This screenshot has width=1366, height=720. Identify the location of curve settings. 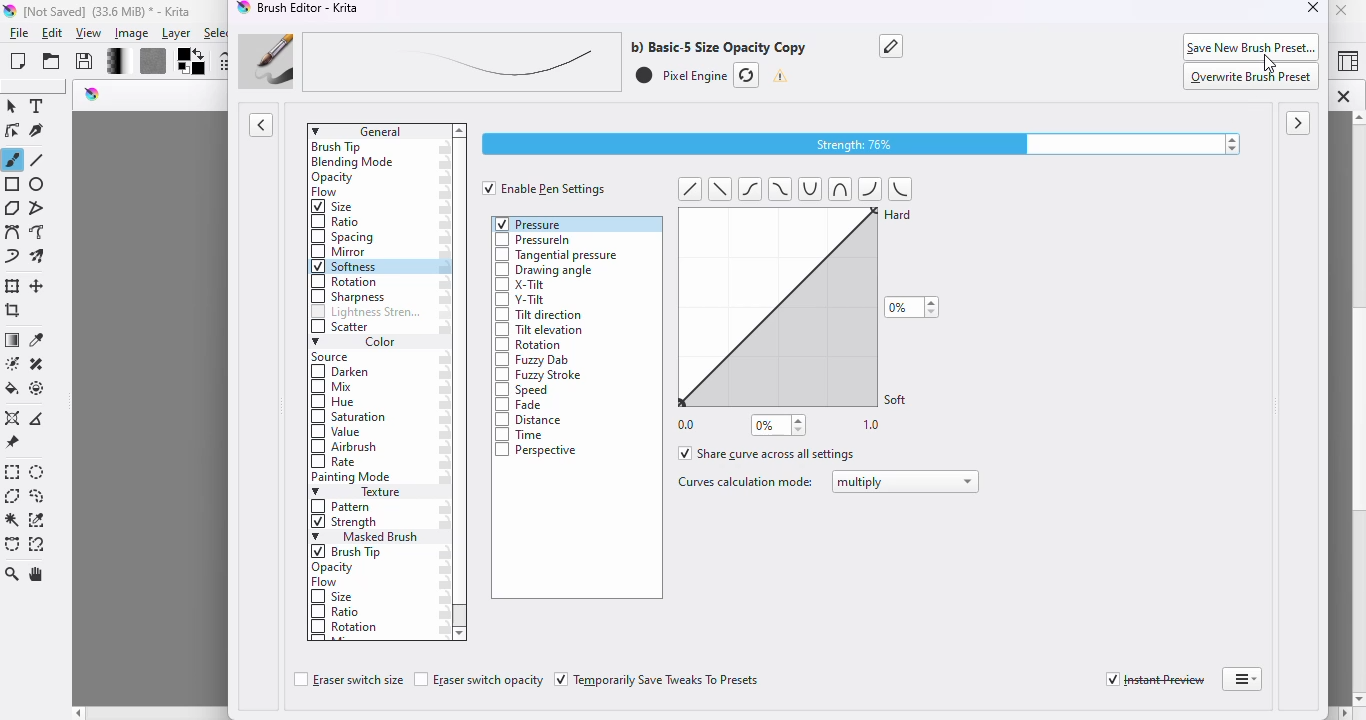
(770, 305).